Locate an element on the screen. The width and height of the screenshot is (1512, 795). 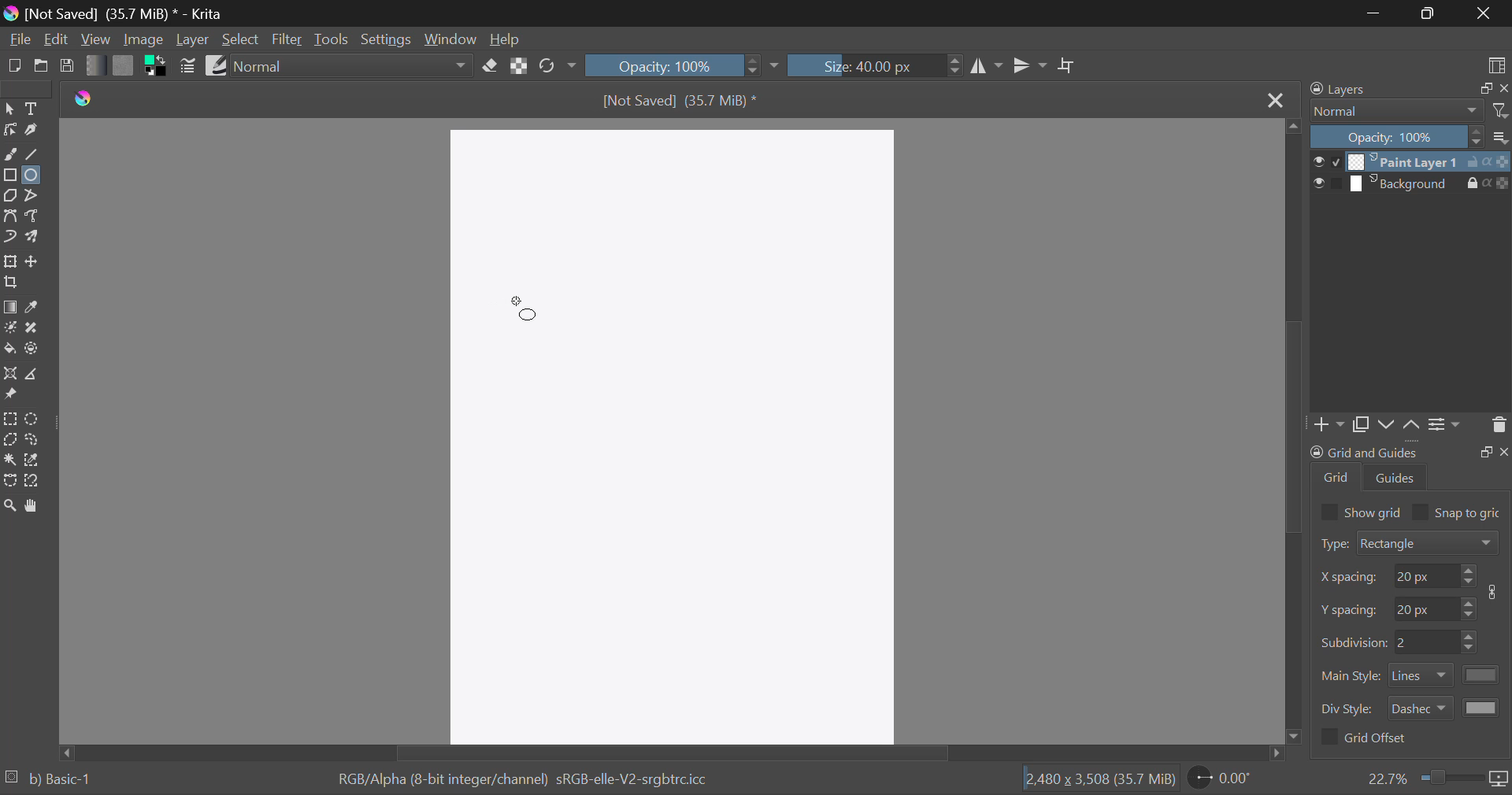
Vertical Mirror Flip is located at coordinates (988, 66).